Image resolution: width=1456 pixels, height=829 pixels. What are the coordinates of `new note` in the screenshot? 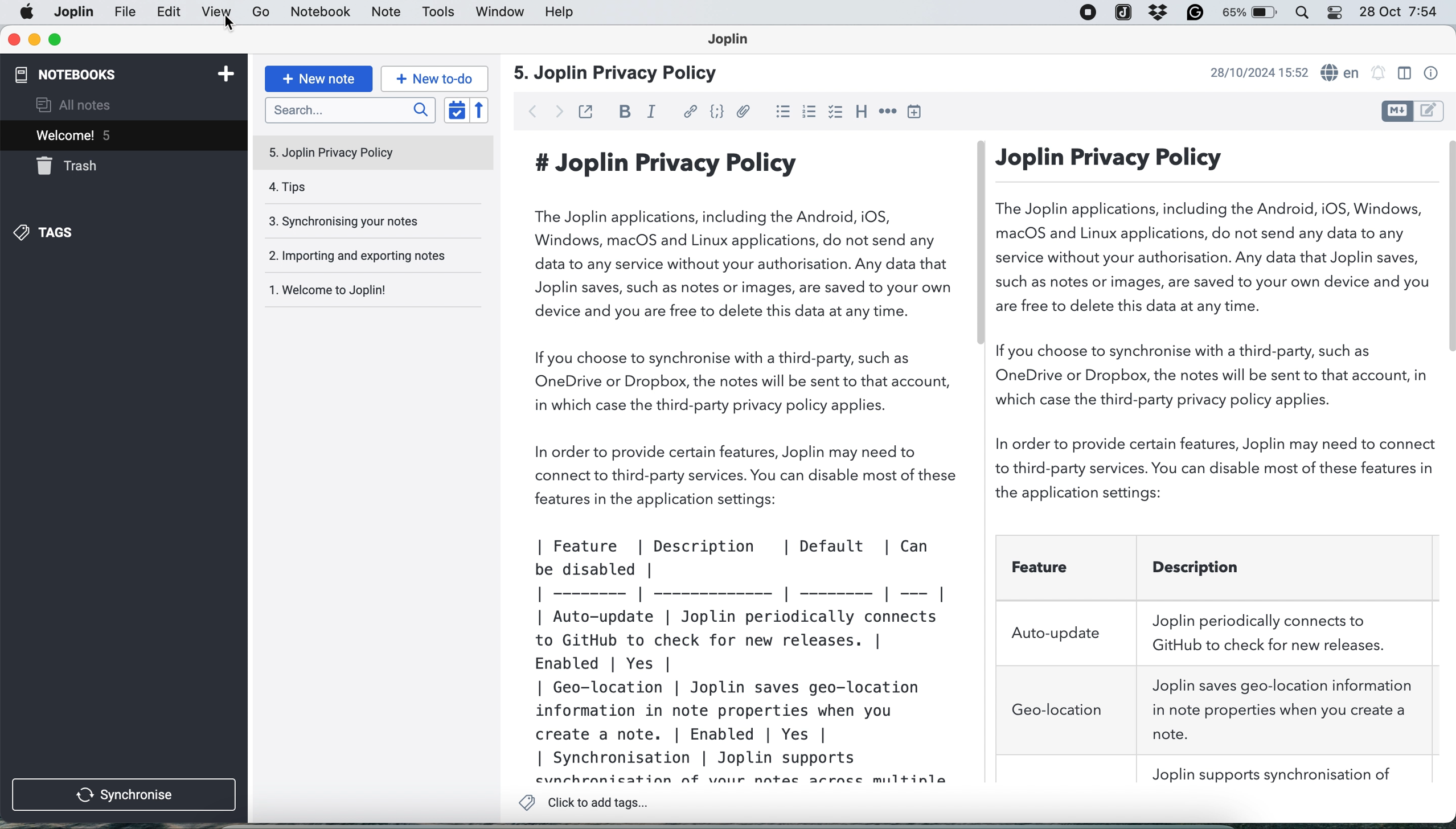 It's located at (319, 78).